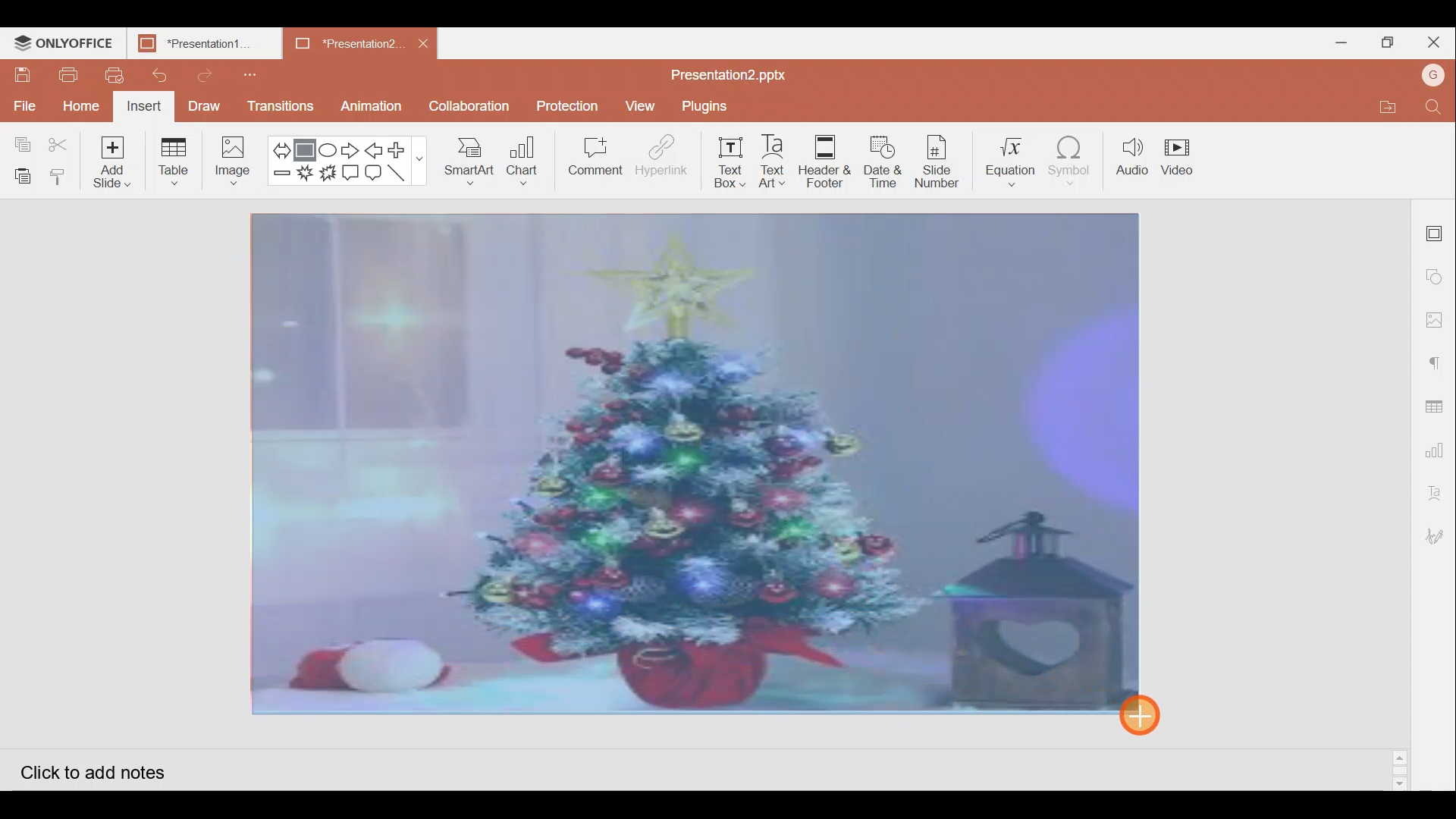  Describe the element at coordinates (824, 164) in the screenshot. I see `Header & footer` at that location.